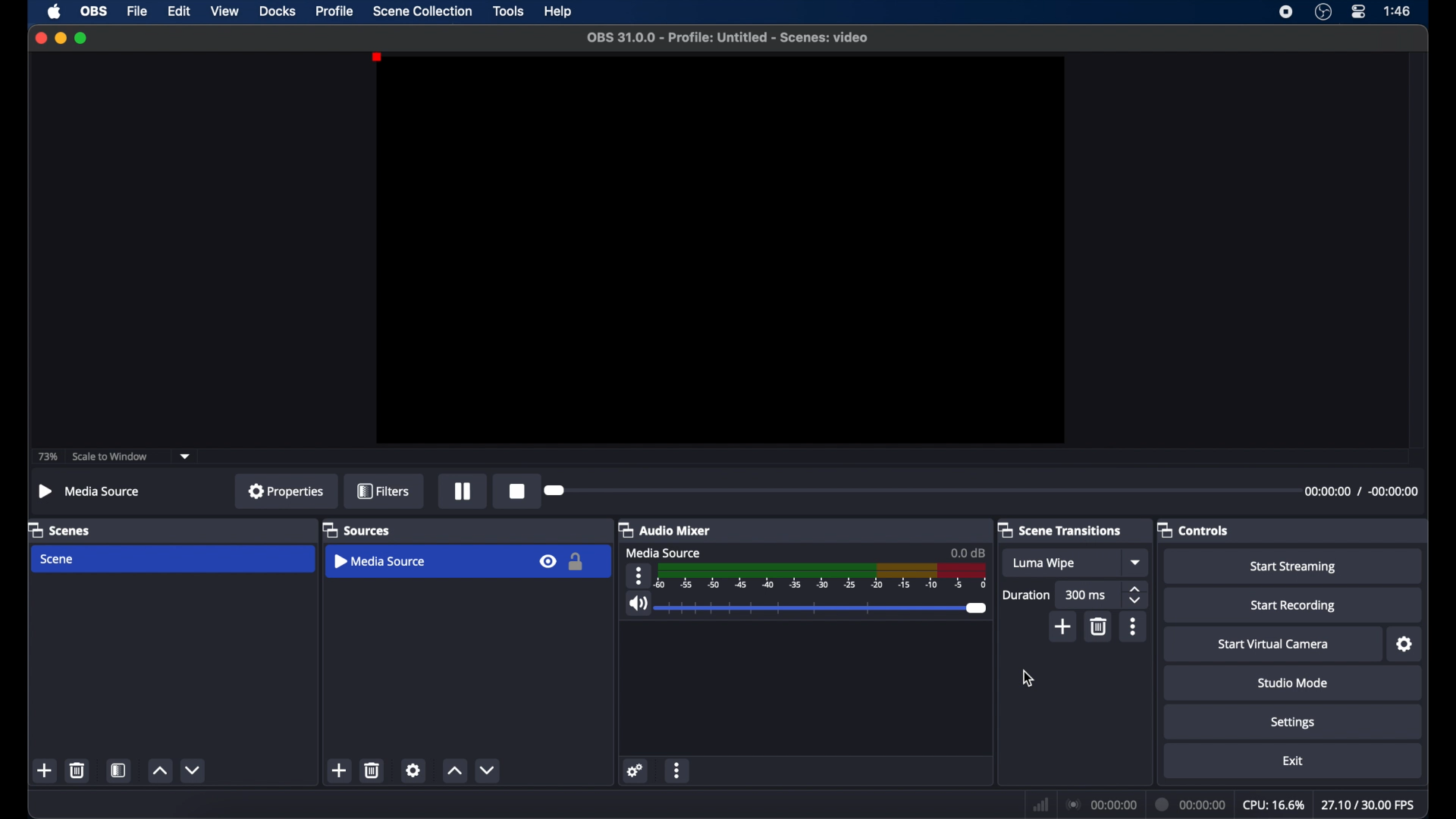 This screenshot has width=1456, height=819. Describe the element at coordinates (89, 491) in the screenshot. I see `no source selected` at that location.